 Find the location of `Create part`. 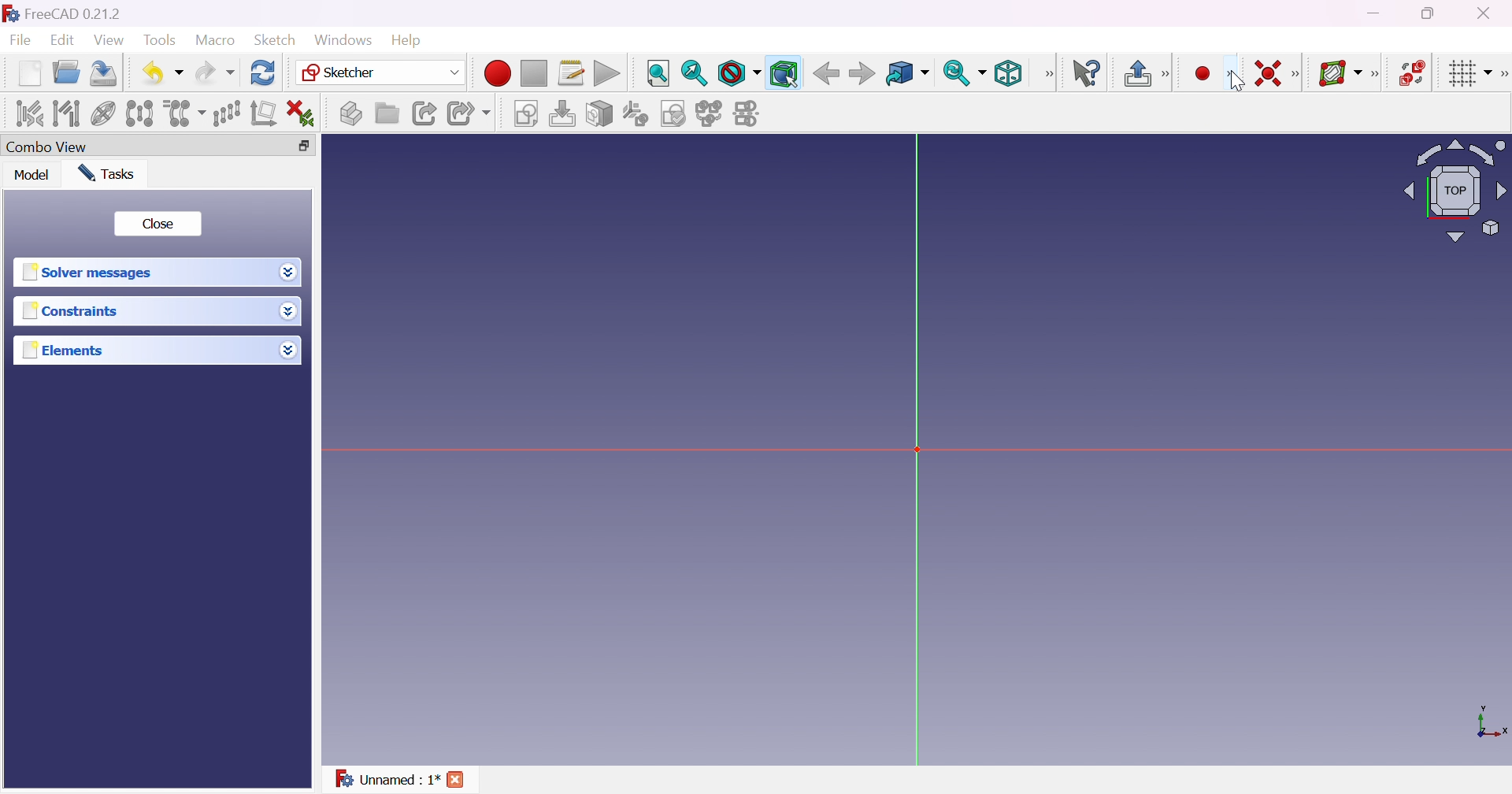

Create part is located at coordinates (350, 112).